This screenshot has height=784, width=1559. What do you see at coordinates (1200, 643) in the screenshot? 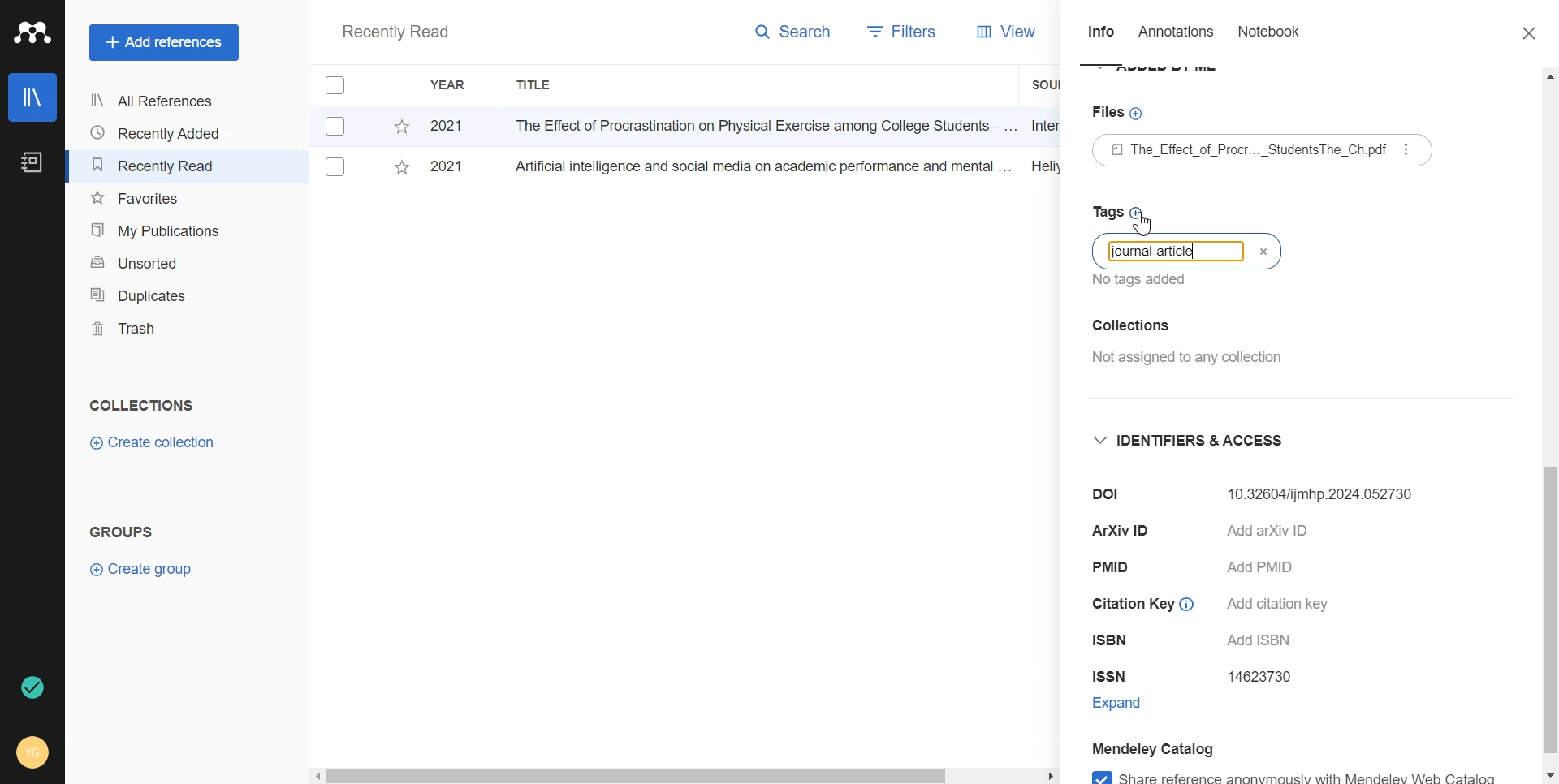
I see `ISBN Add ISBN` at bounding box center [1200, 643].